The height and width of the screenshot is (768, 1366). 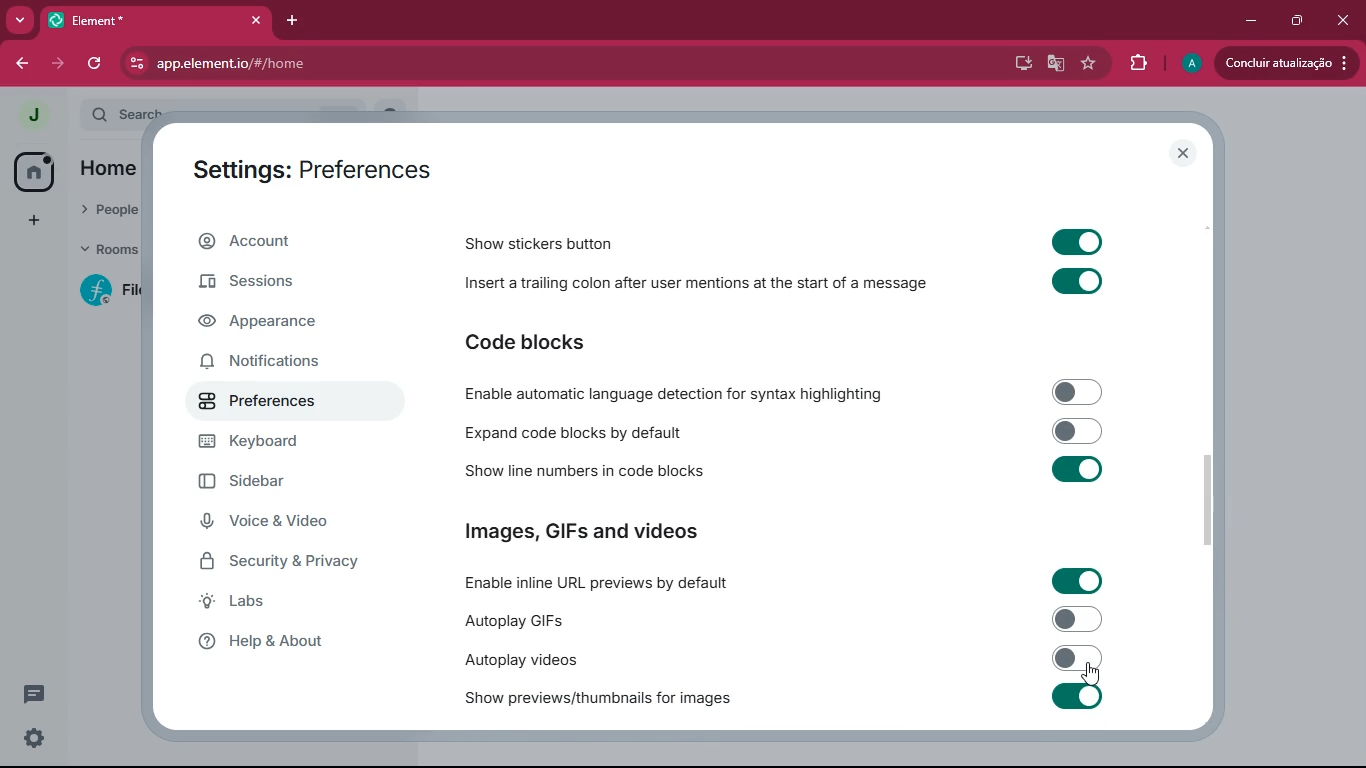 I want to click on add tab, so click(x=299, y=19).